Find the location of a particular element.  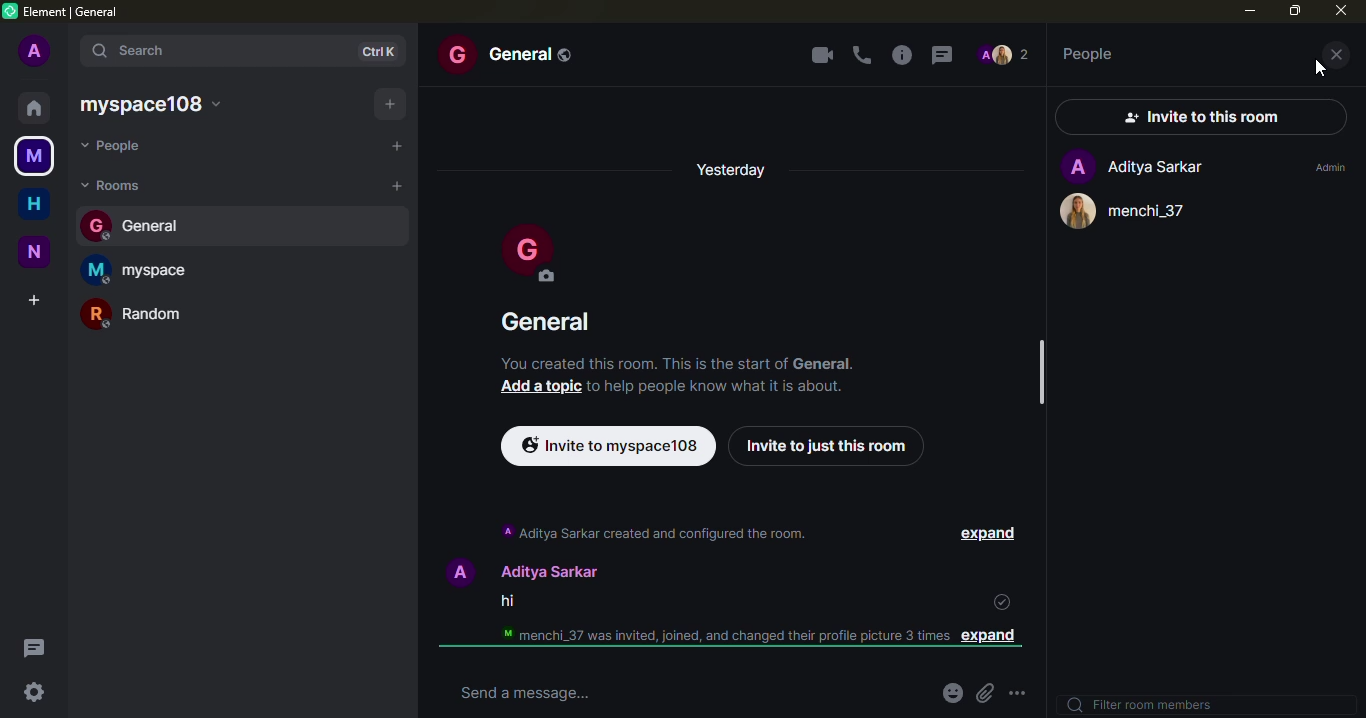

you created this room. This is the start of general. is located at coordinates (678, 363).